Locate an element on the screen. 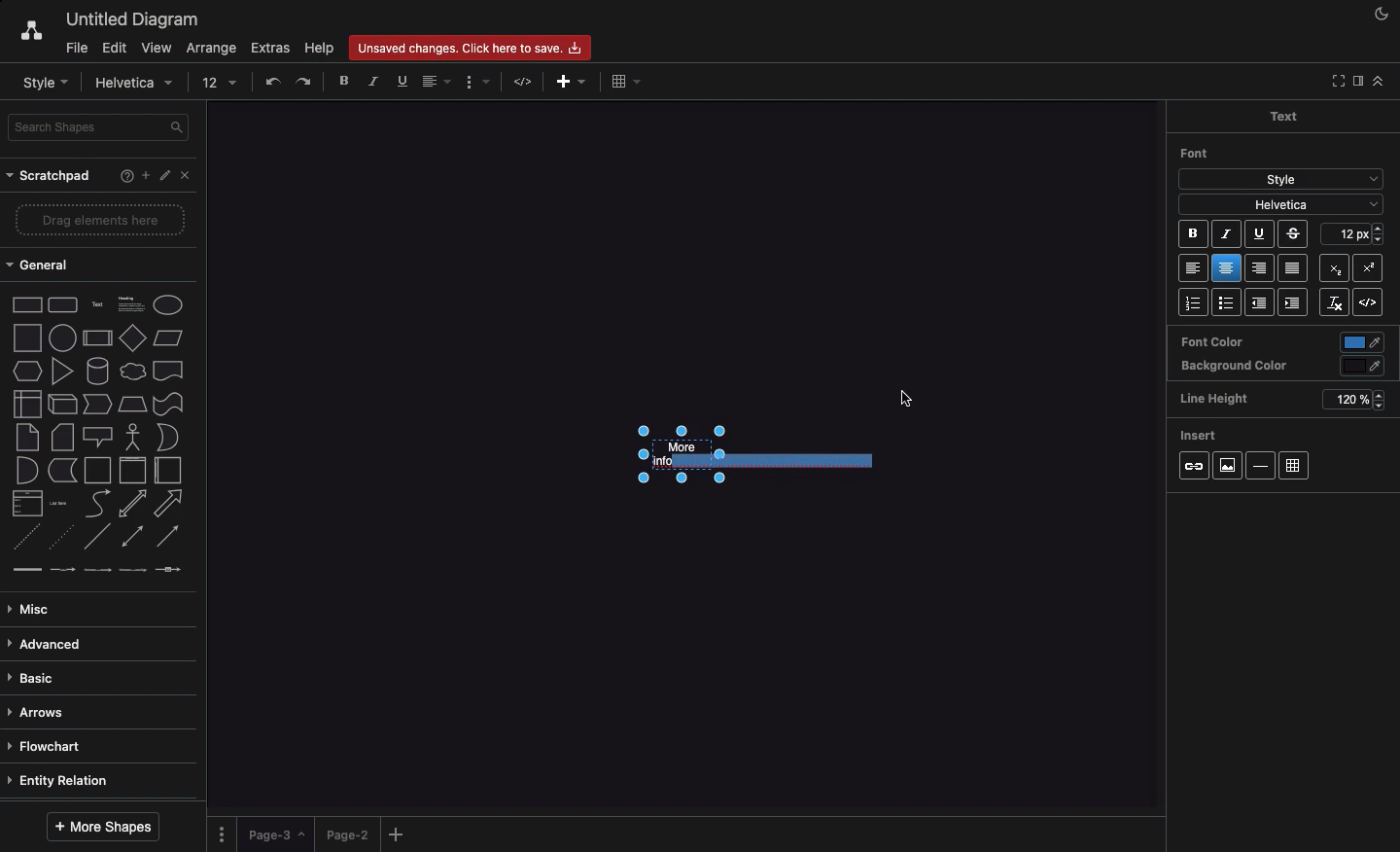 The image size is (1400, 852). Text is located at coordinates (1282, 115).